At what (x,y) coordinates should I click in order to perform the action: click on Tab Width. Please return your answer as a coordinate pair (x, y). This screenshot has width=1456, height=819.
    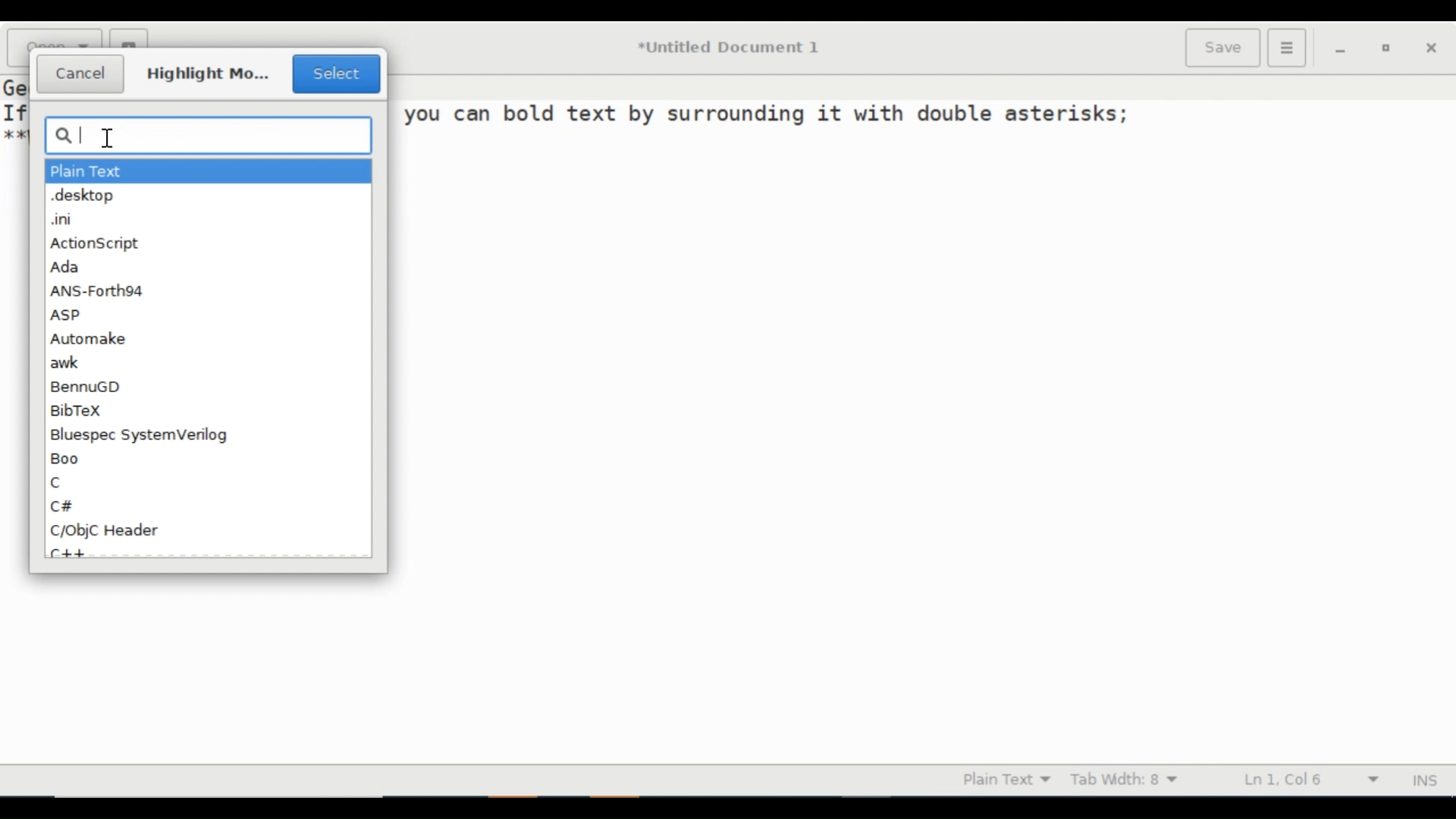
    Looking at the image, I should click on (1136, 780).